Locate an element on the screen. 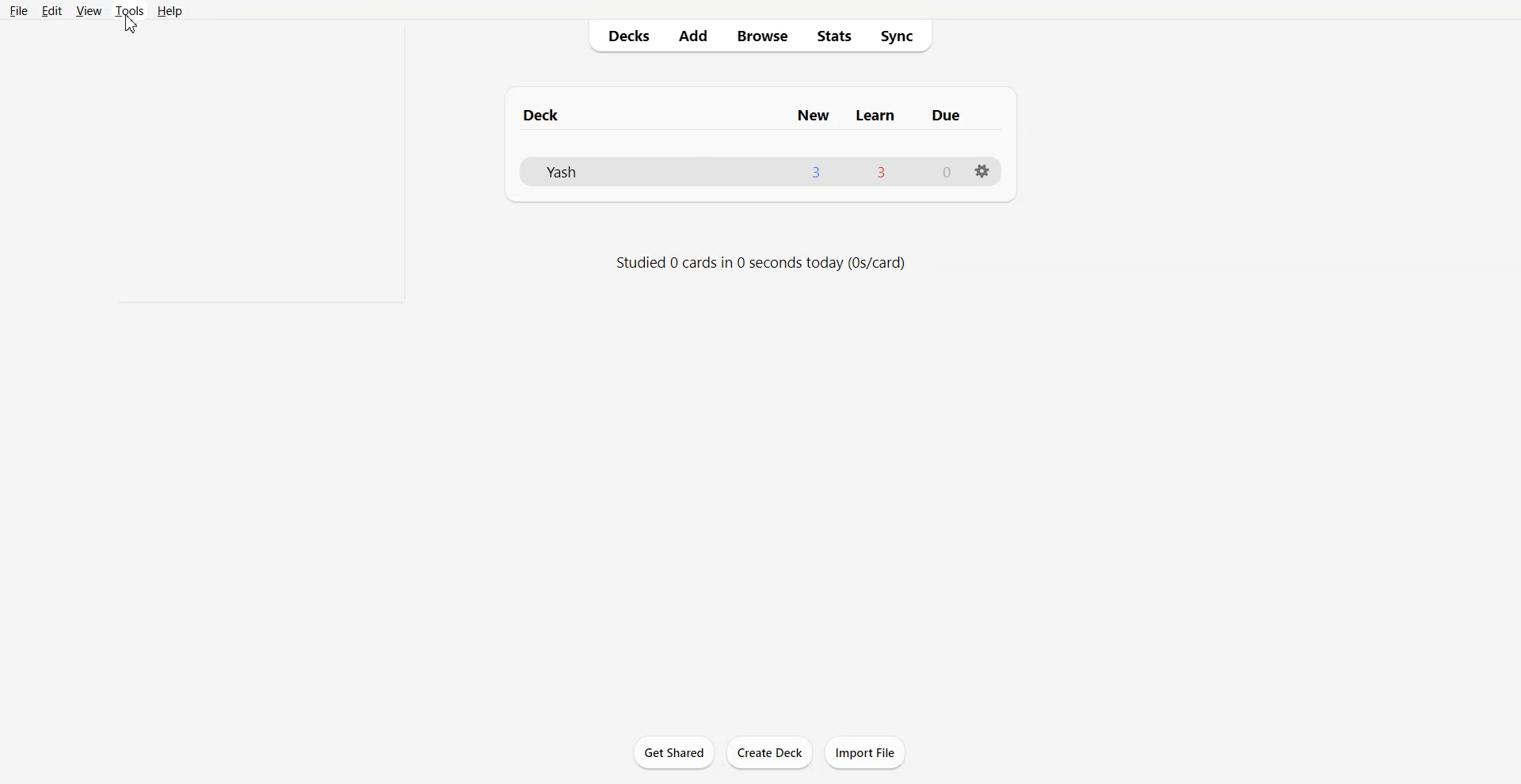 This screenshot has height=784, width=1521. Decks is located at coordinates (623, 36).